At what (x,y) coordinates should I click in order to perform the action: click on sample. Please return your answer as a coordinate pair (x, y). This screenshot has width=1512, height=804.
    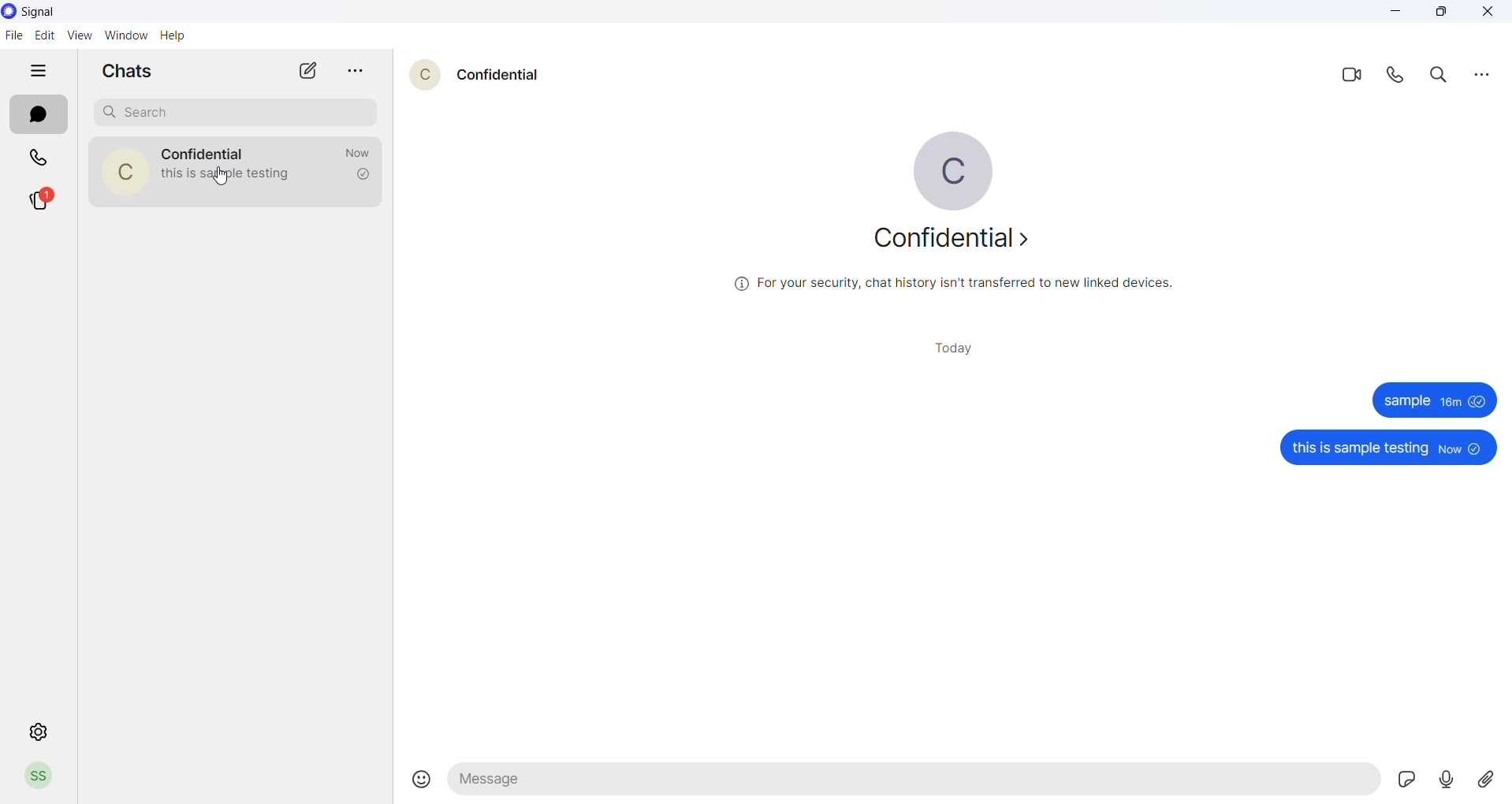
    Looking at the image, I should click on (1404, 400).